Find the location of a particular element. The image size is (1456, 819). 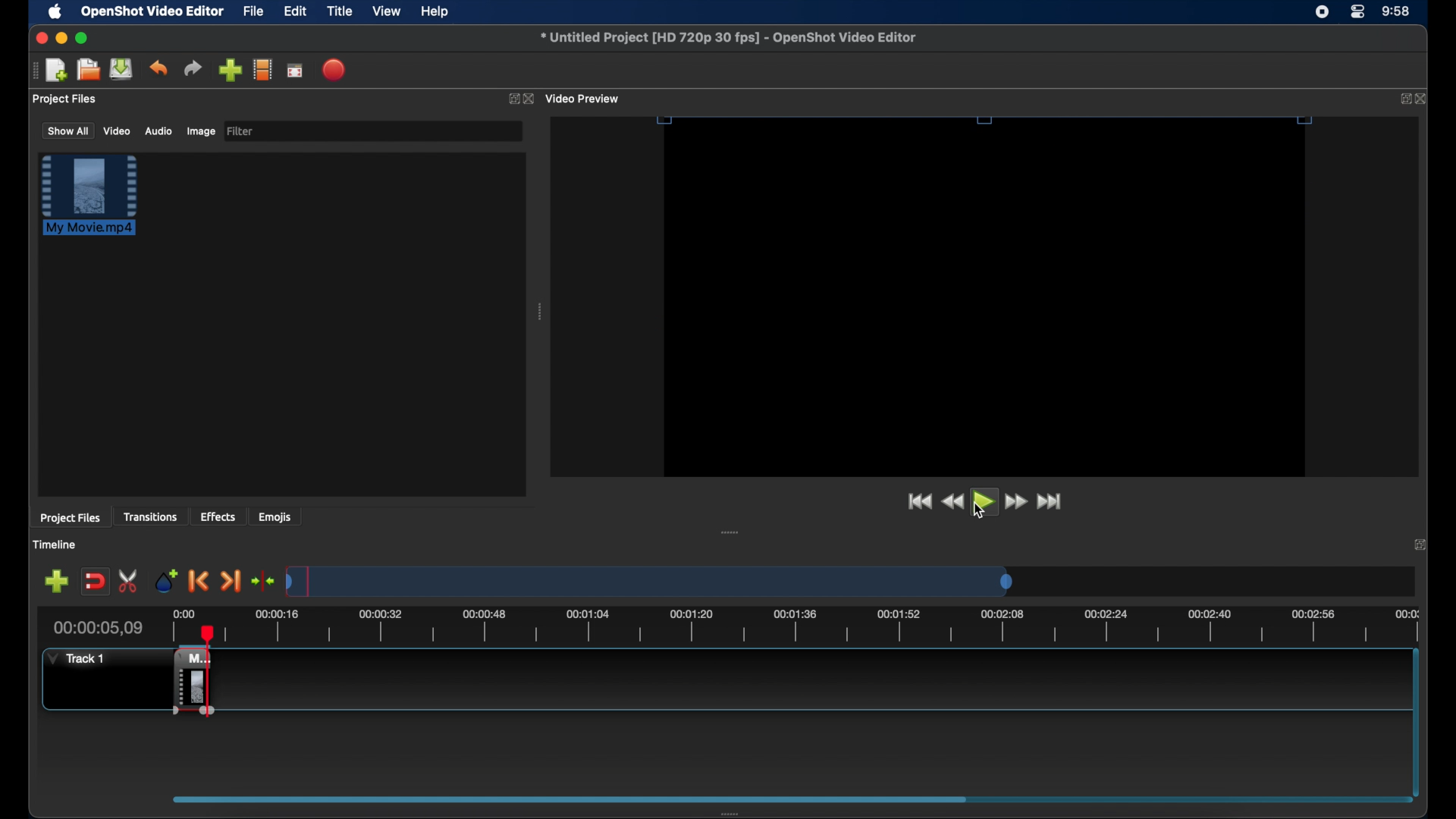

jumpt to  end is located at coordinates (1050, 501).